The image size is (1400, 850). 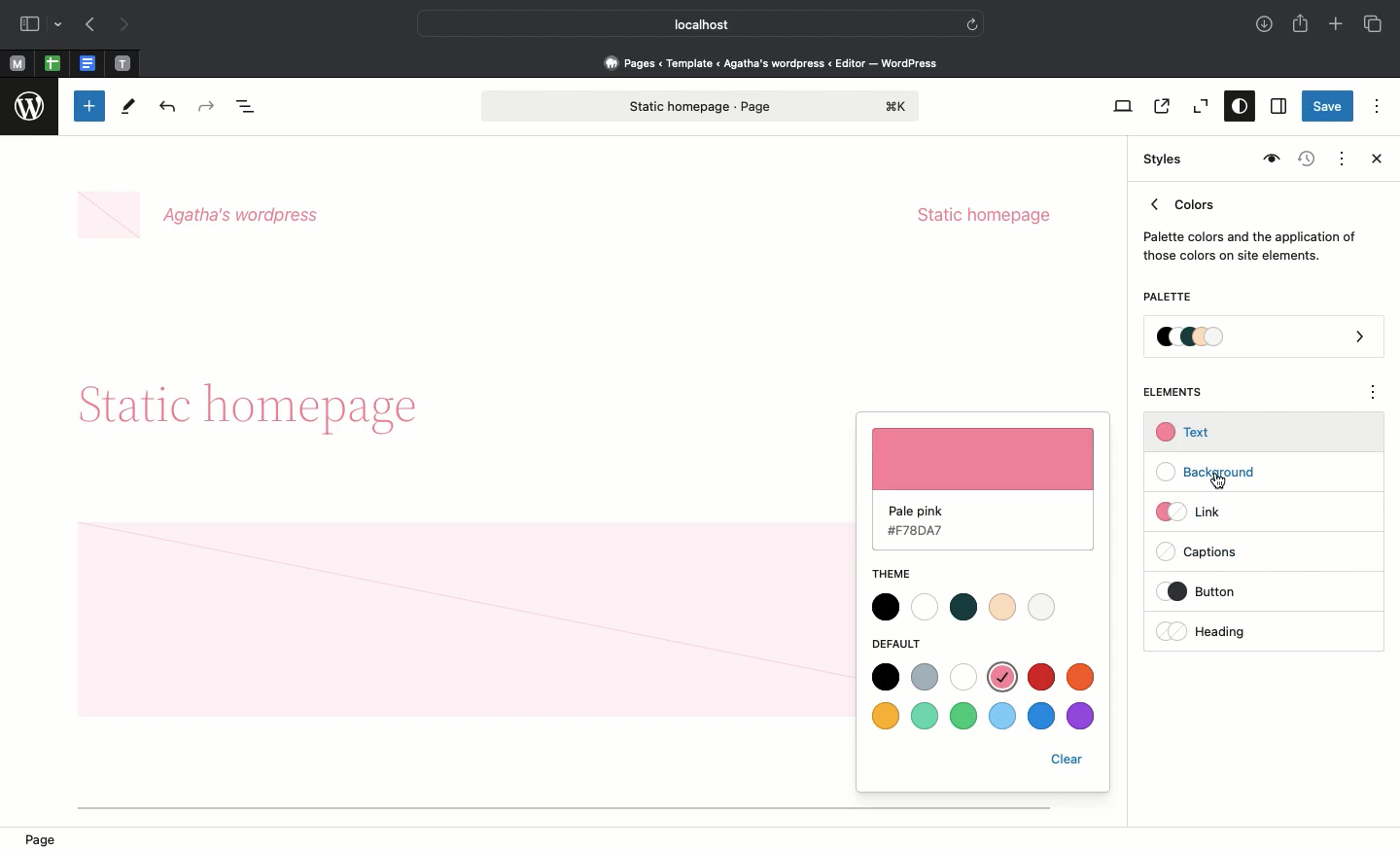 I want to click on Background, so click(x=1215, y=473).